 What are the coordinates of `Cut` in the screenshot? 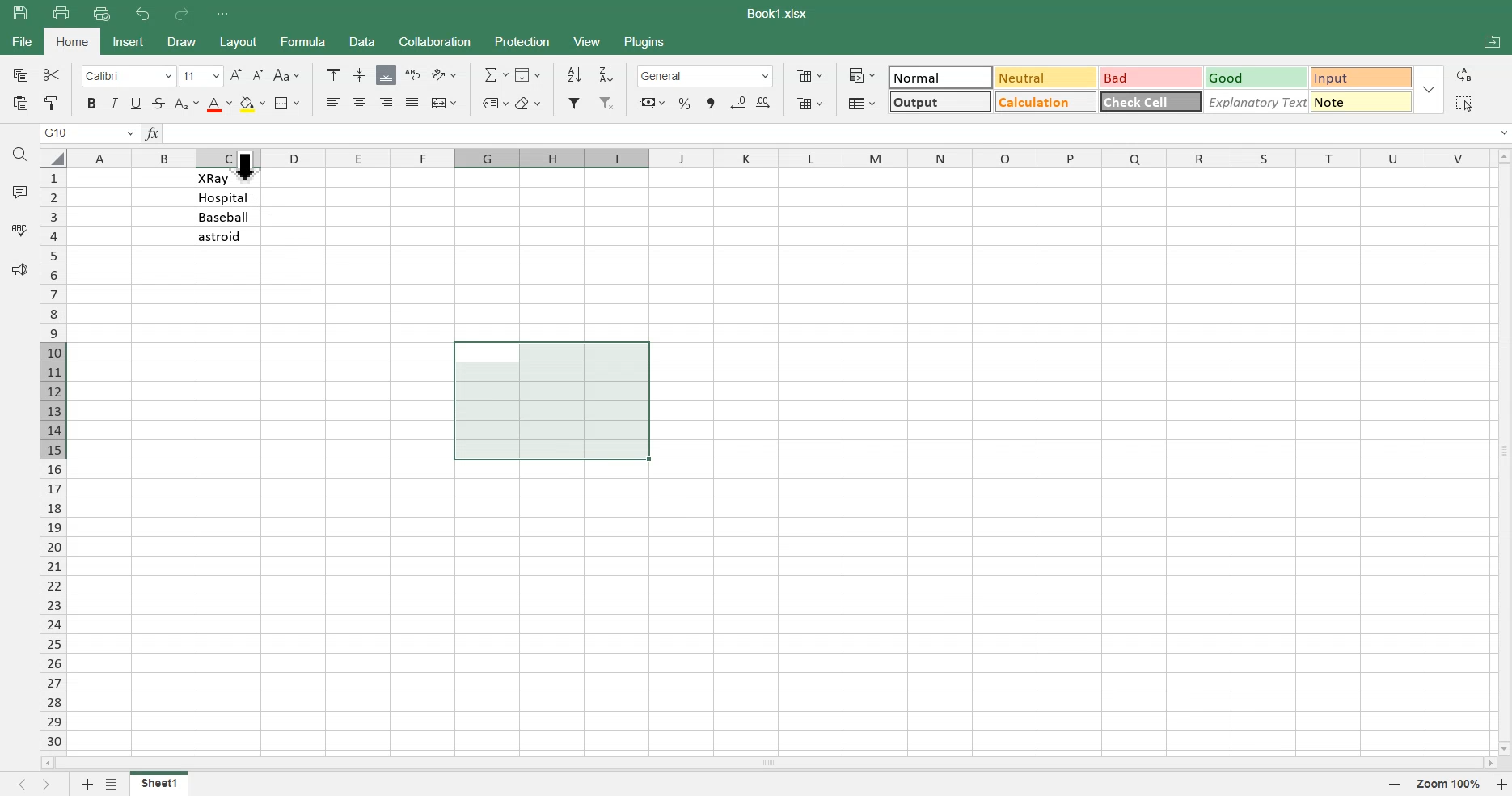 It's located at (50, 74).